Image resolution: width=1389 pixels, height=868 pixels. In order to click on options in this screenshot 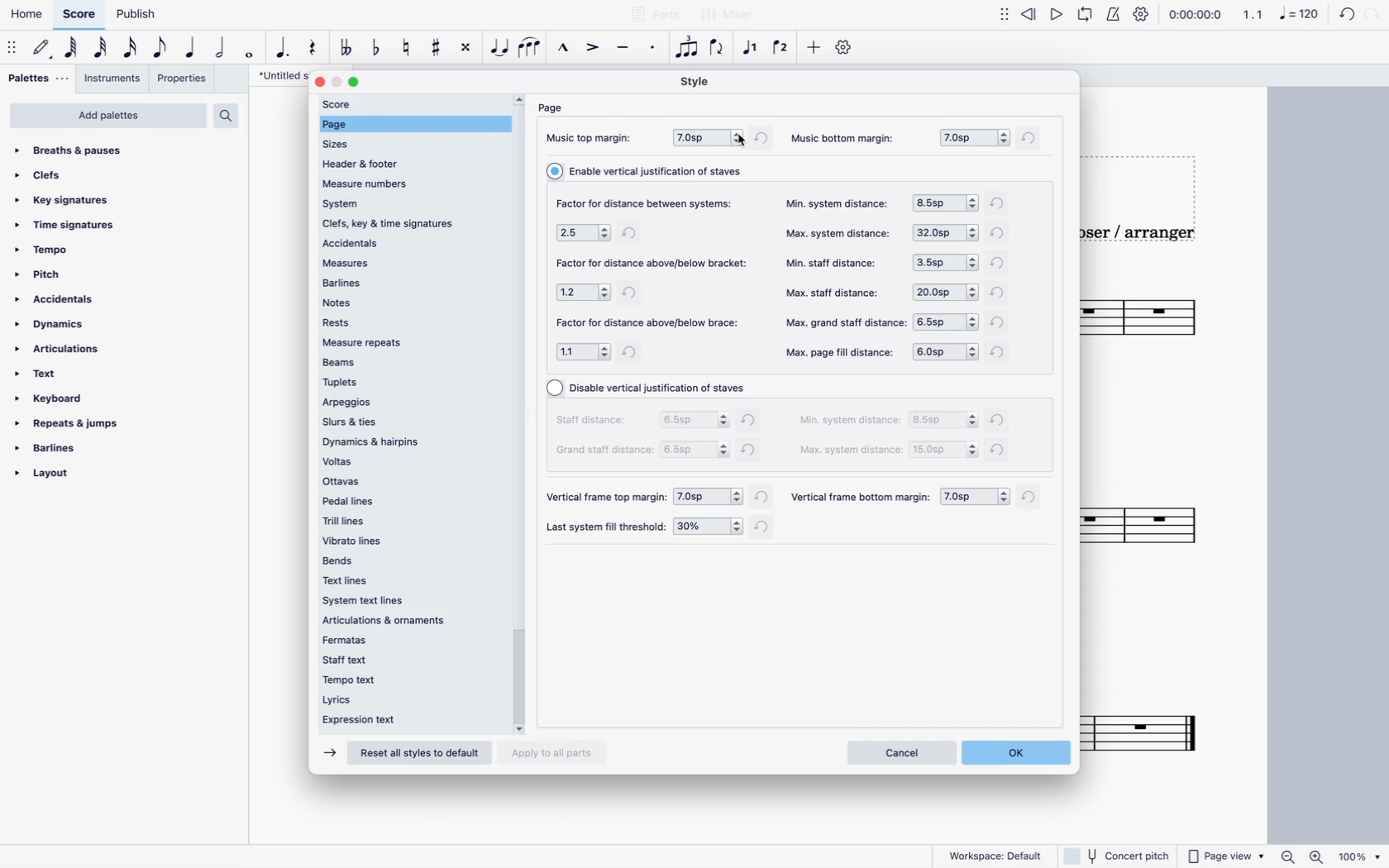, I will do `click(585, 232)`.